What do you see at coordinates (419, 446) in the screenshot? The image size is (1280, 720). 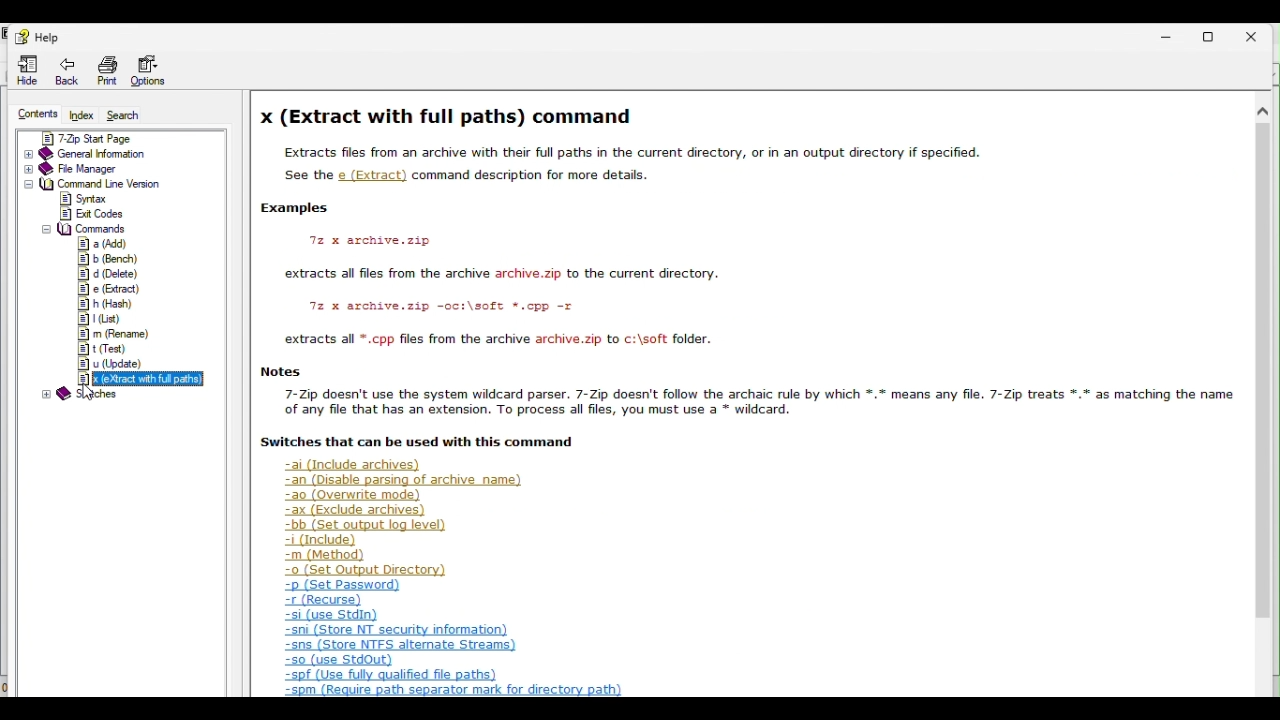 I see `Switches that can be used with this command` at bounding box center [419, 446].